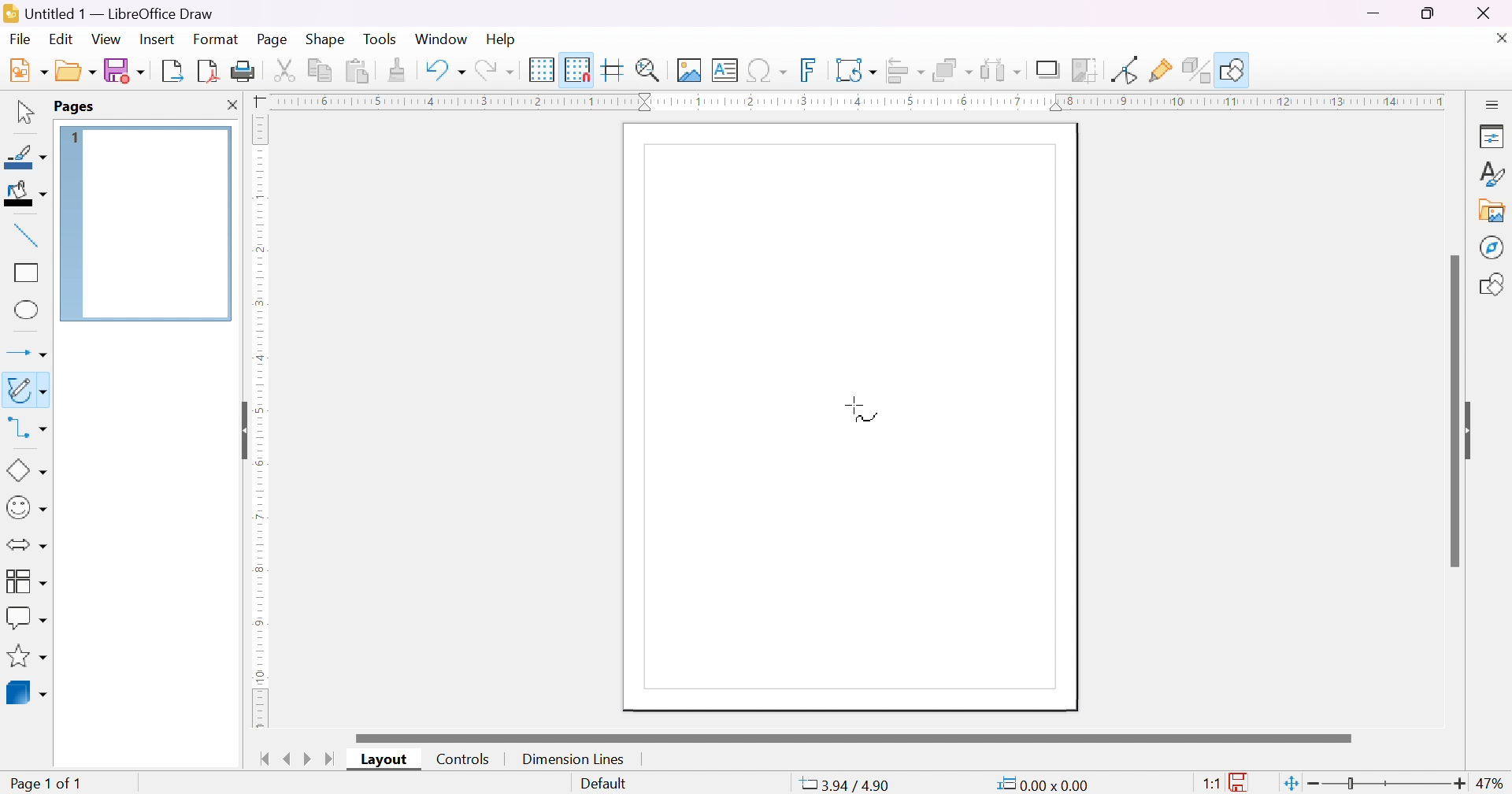 Image resolution: width=1512 pixels, height=794 pixels. Describe the element at coordinates (445, 70) in the screenshot. I see `undo` at that location.